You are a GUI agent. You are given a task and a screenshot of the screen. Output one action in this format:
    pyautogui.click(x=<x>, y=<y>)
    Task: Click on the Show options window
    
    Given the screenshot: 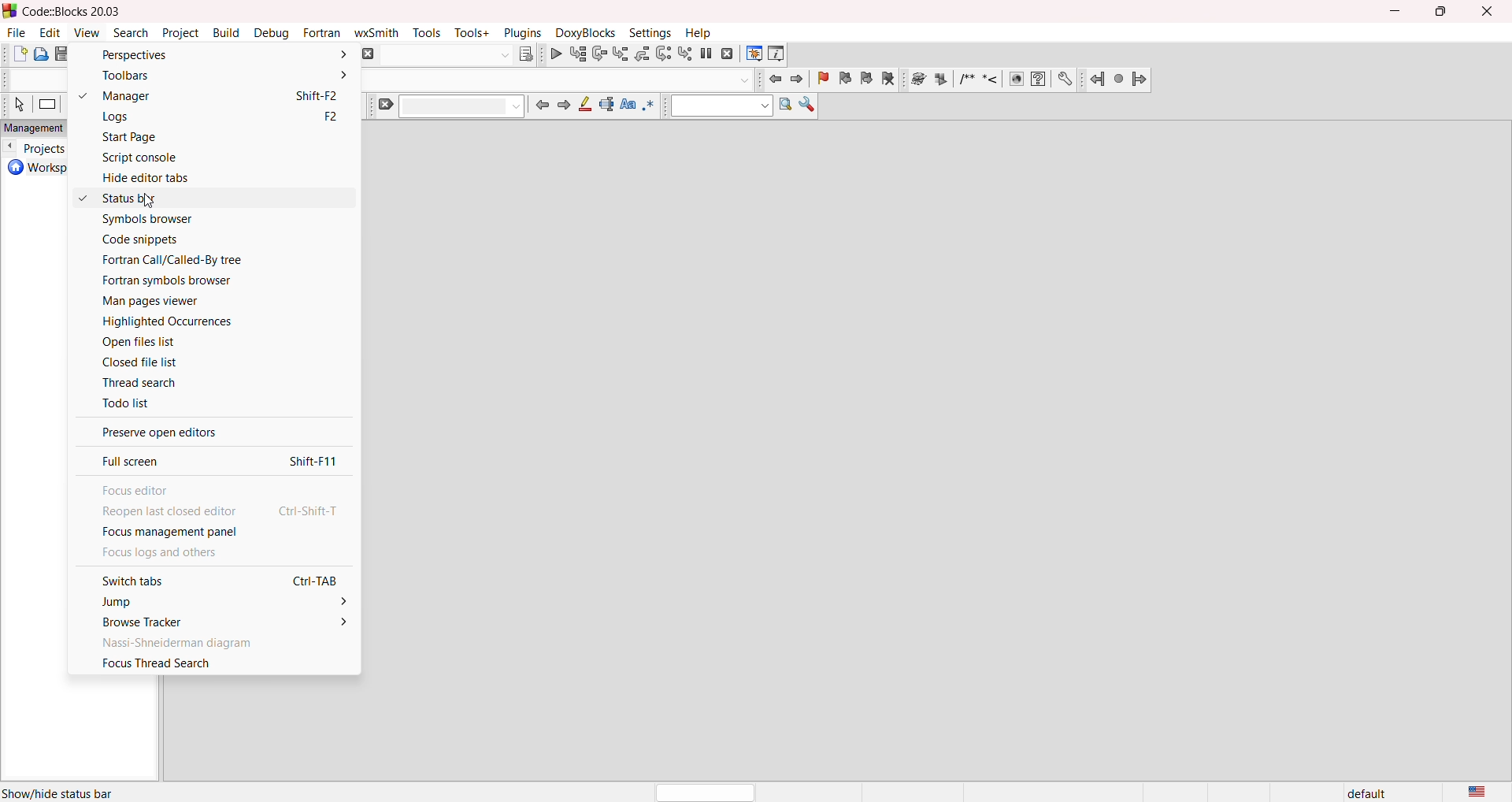 What is the action you would take?
    pyautogui.click(x=808, y=109)
    